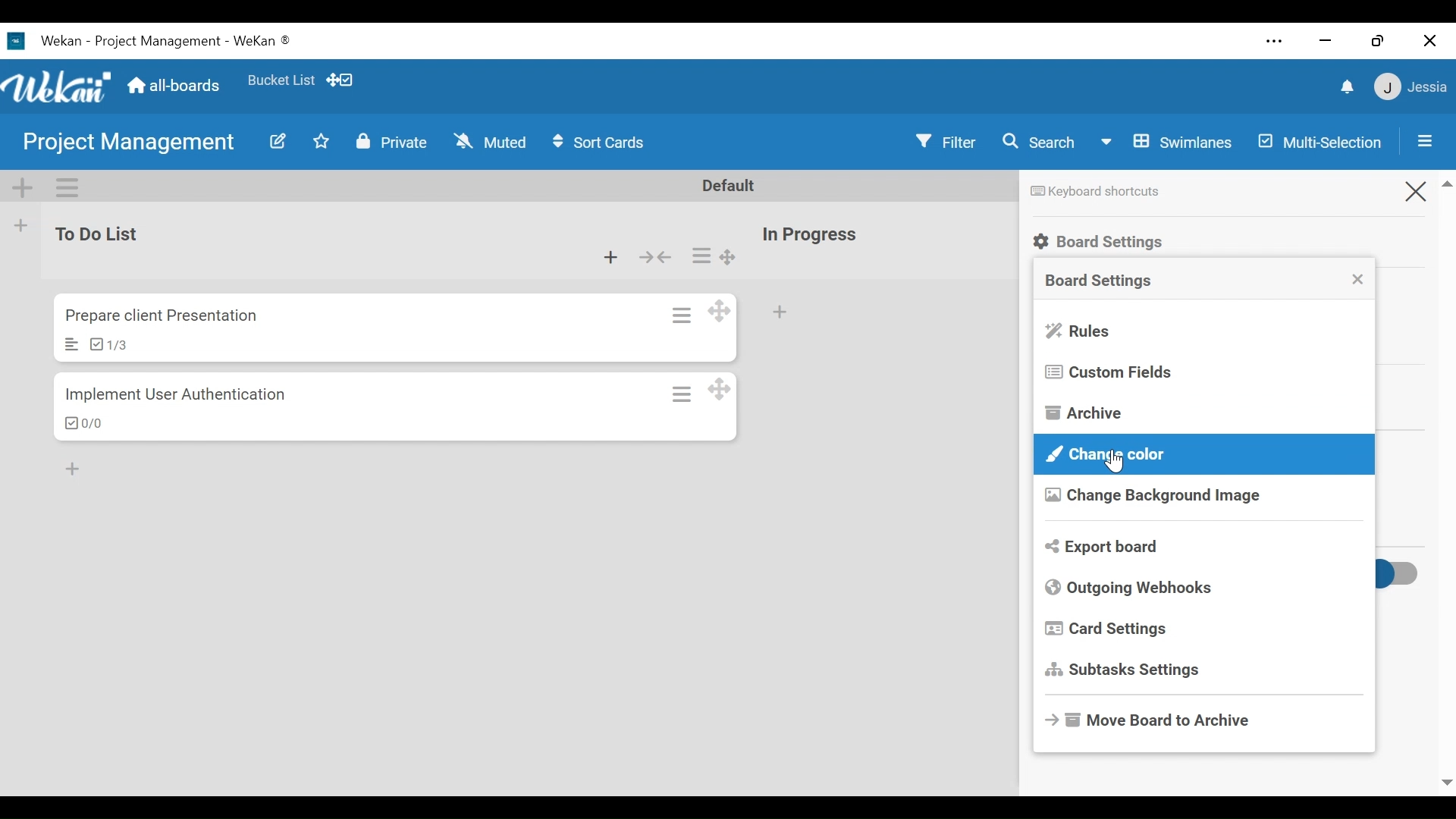  I want to click on Desktop drag handles, so click(730, 257).